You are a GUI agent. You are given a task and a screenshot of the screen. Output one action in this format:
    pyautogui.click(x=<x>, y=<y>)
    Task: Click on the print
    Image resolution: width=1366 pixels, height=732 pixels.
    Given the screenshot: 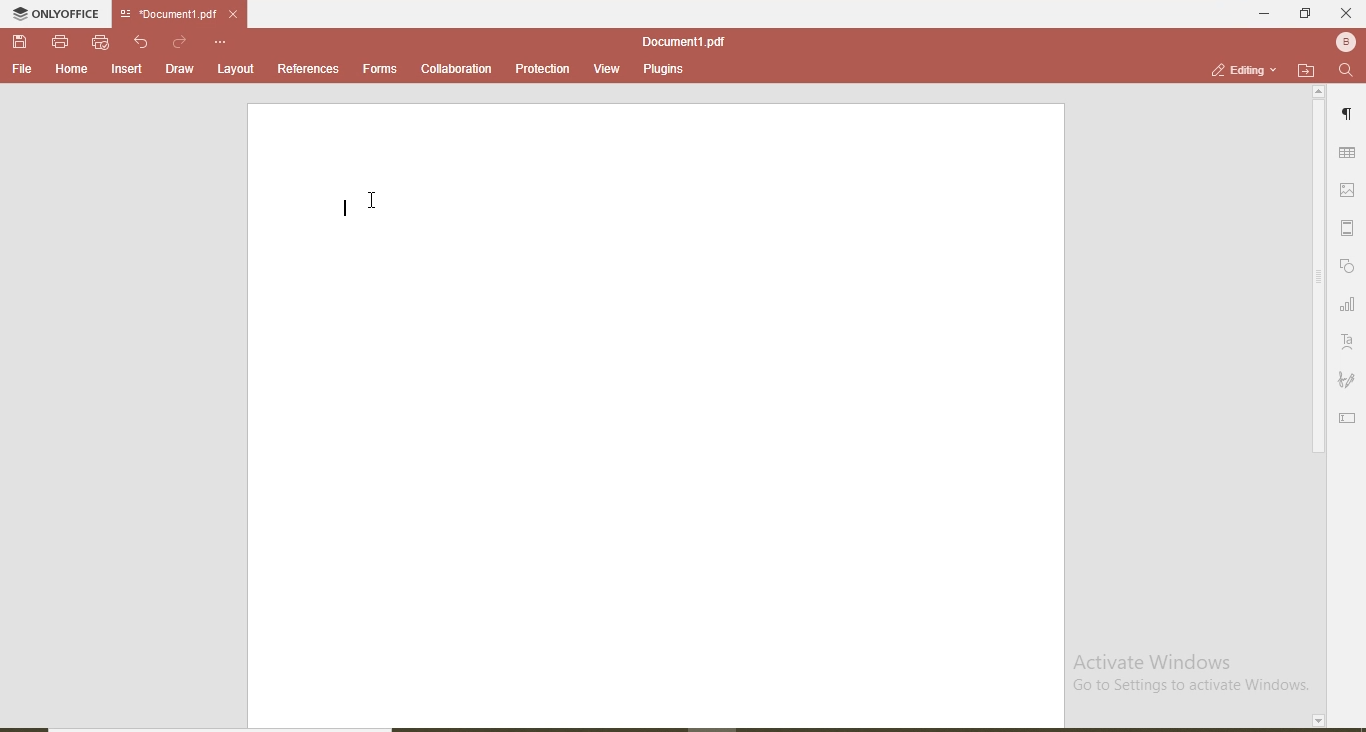 What is the action you would take?
    pyautogui.click(x=60, y=40)
    